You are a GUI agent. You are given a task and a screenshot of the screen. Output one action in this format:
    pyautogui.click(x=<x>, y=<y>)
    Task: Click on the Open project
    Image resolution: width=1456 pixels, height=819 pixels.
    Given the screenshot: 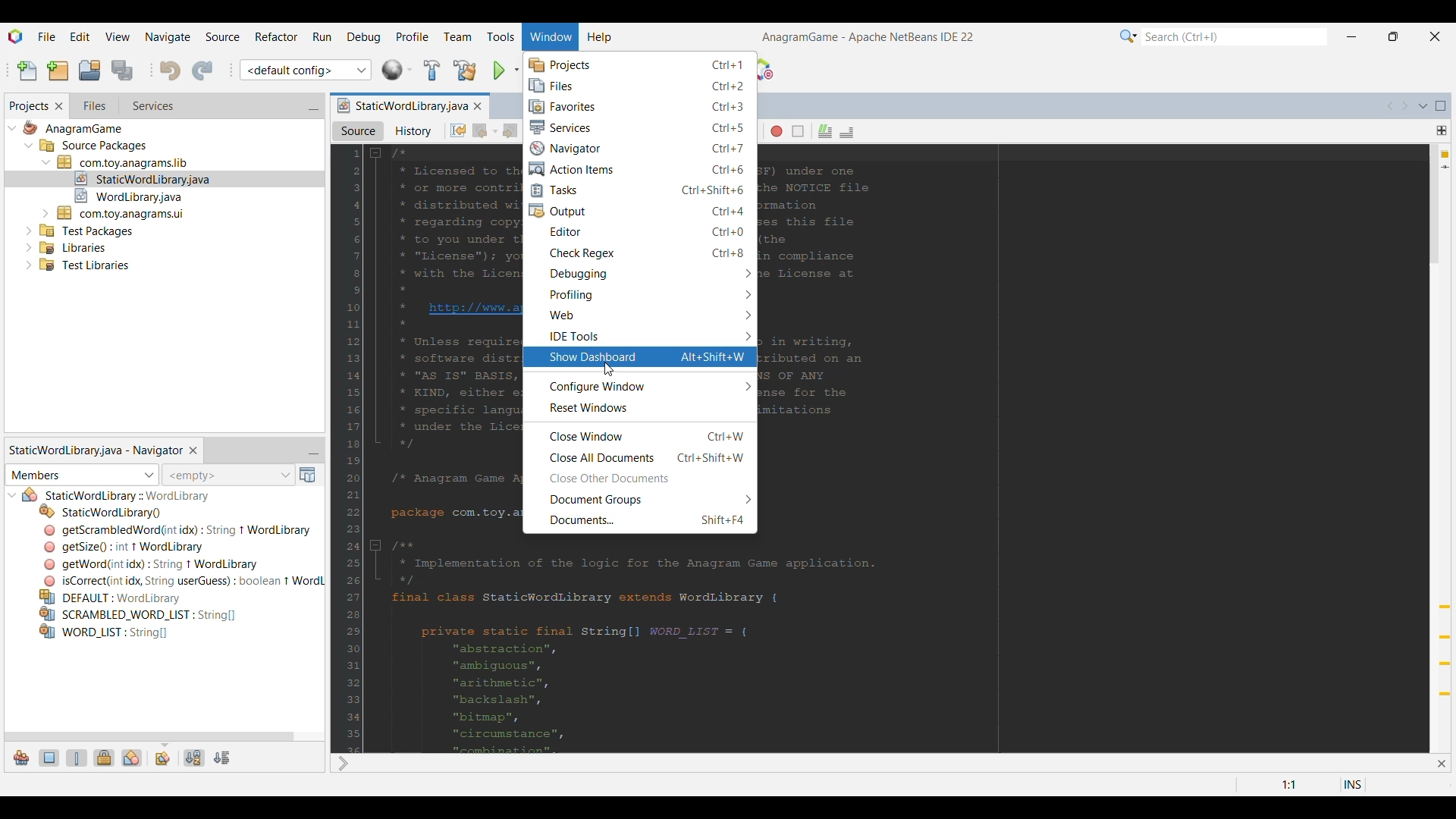 What is the action you would take?
    pyautogui.click(x=89, y=70)
    